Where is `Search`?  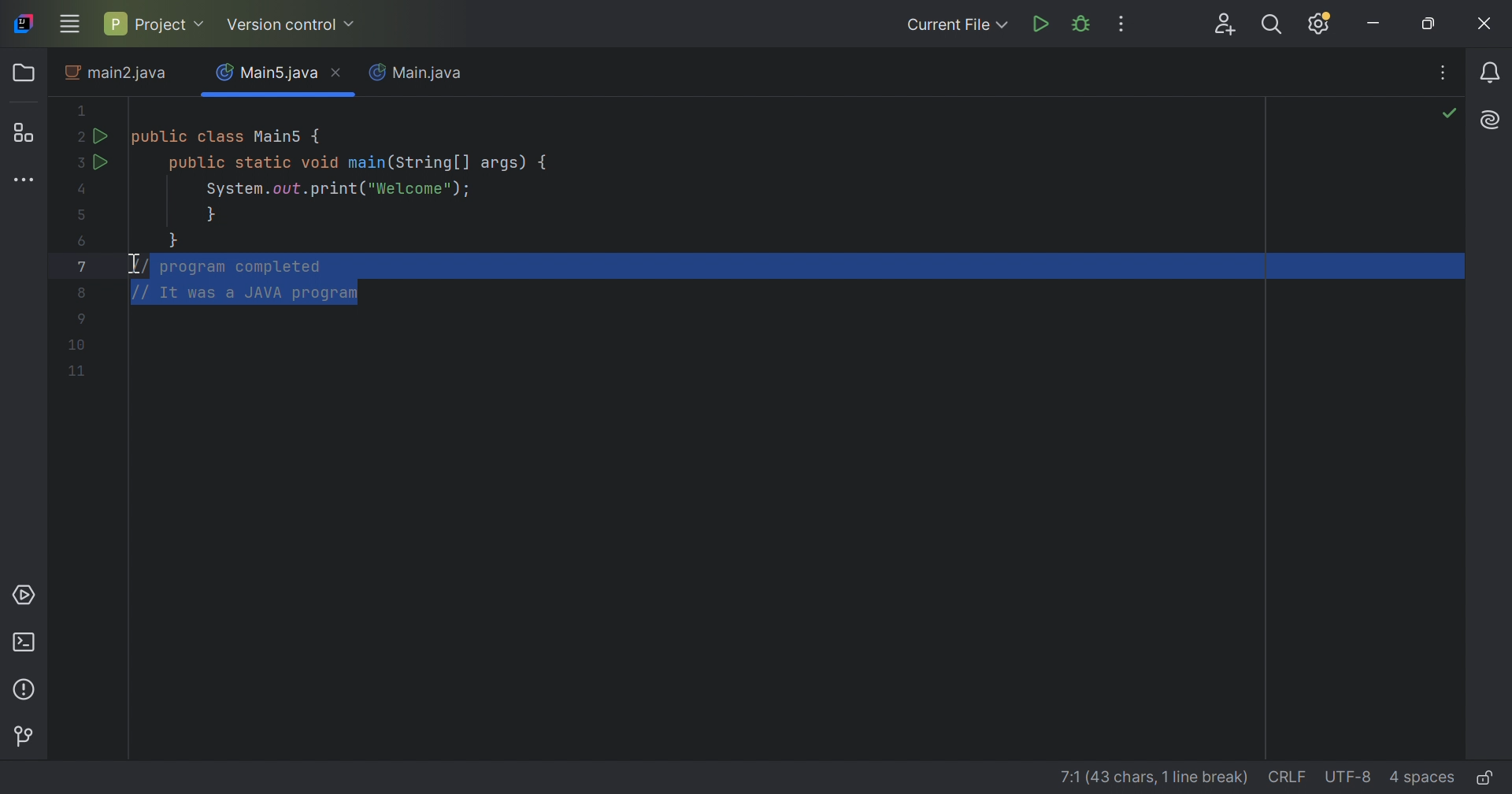
Search is located at coordinates (1277, 25).